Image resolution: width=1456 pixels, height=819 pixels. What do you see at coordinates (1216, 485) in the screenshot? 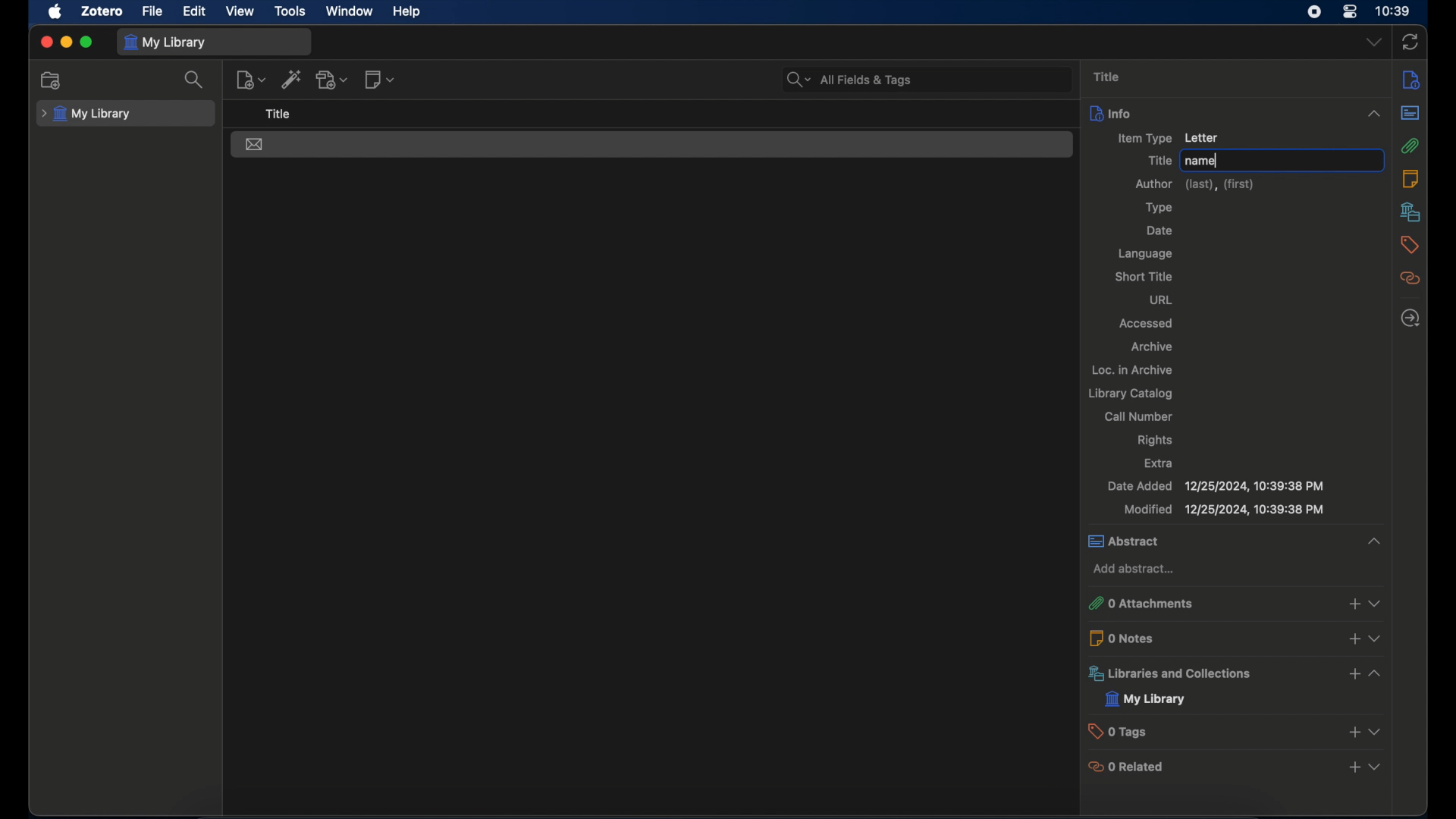
I see `date added` at bounding box center [1216, 485].